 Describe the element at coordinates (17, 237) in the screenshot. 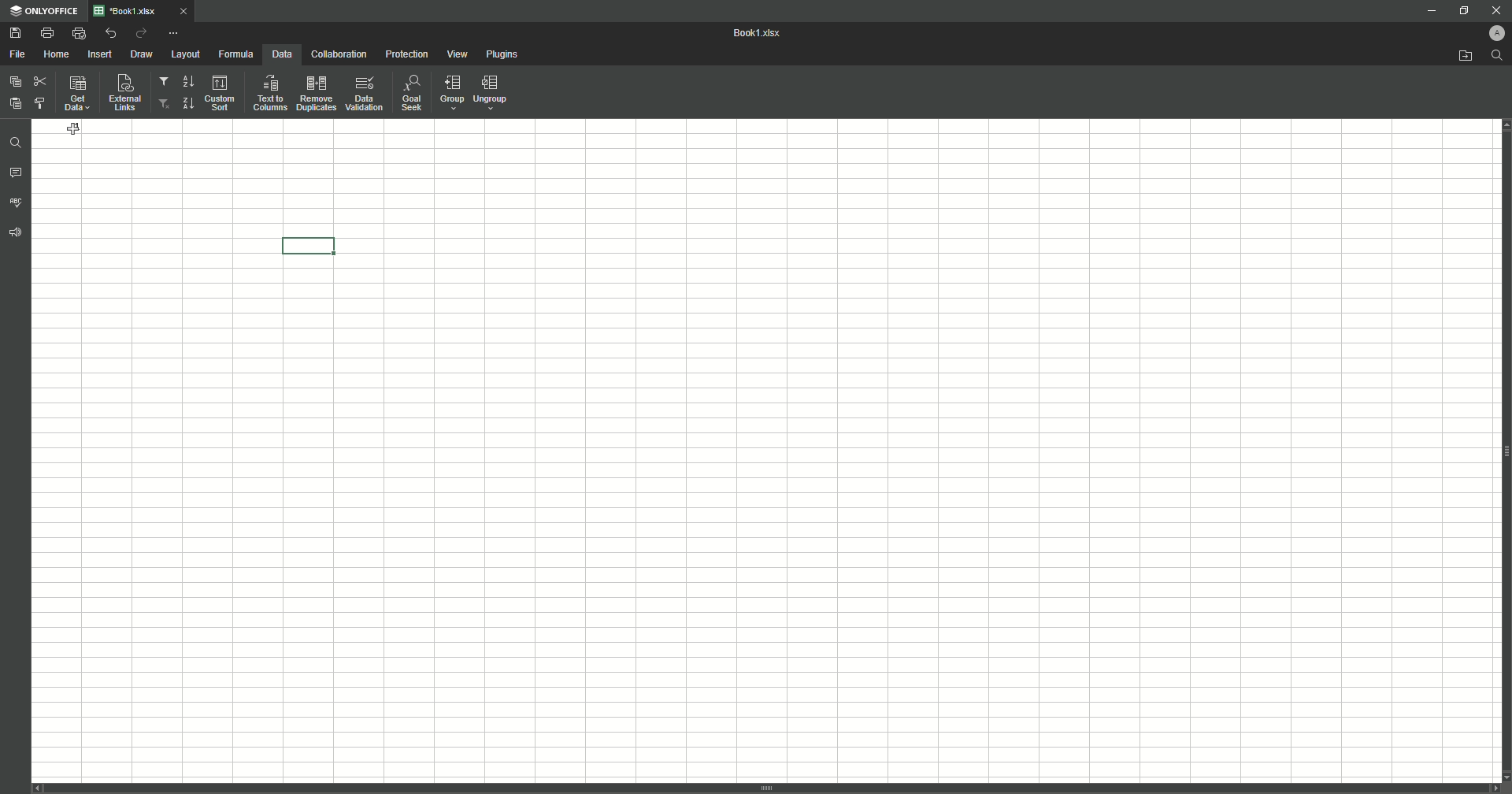

I see `Feedback` at that location.